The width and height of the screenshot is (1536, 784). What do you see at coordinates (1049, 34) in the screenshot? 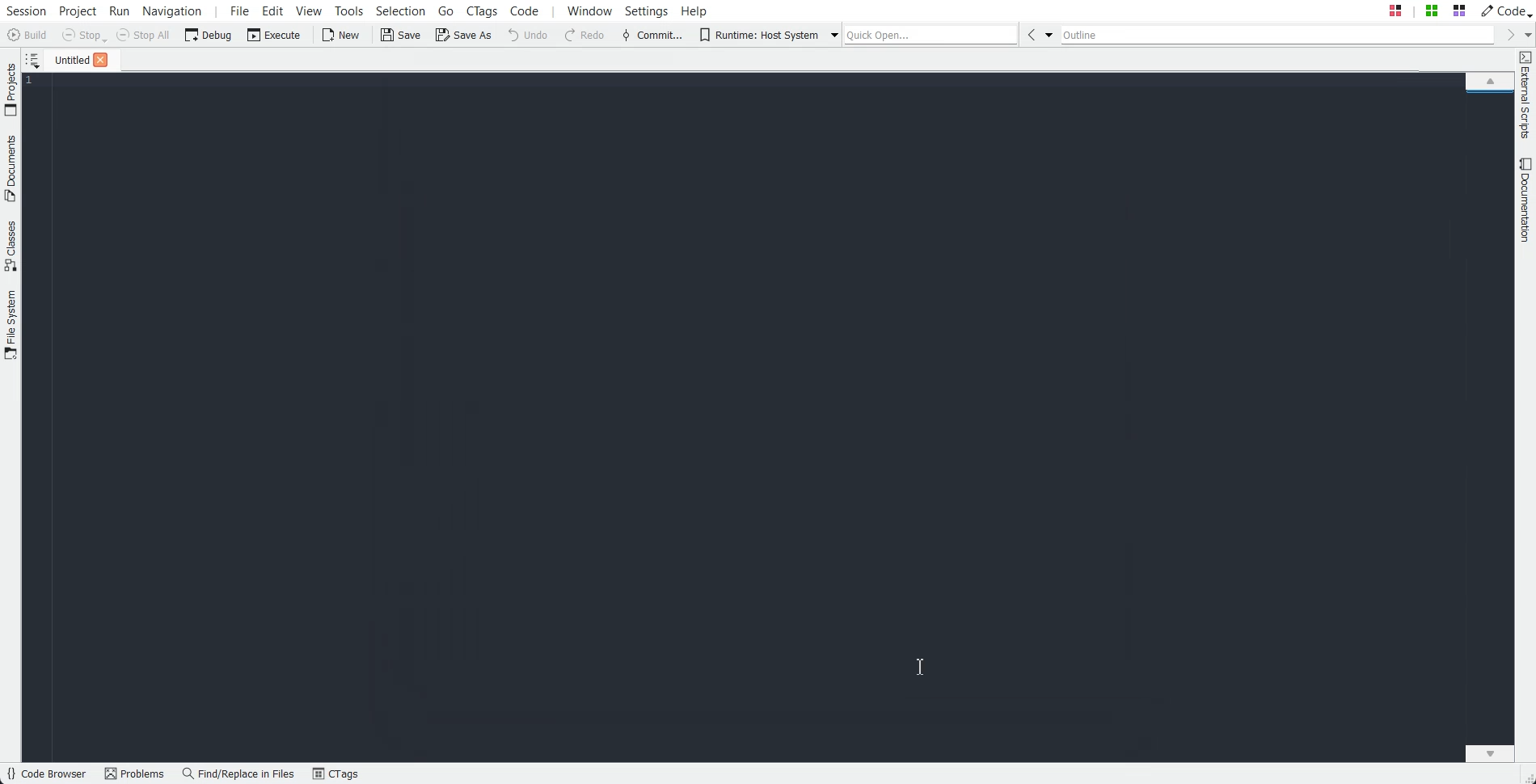
I see `Drop Down box` at bounding box center [1049, 34].